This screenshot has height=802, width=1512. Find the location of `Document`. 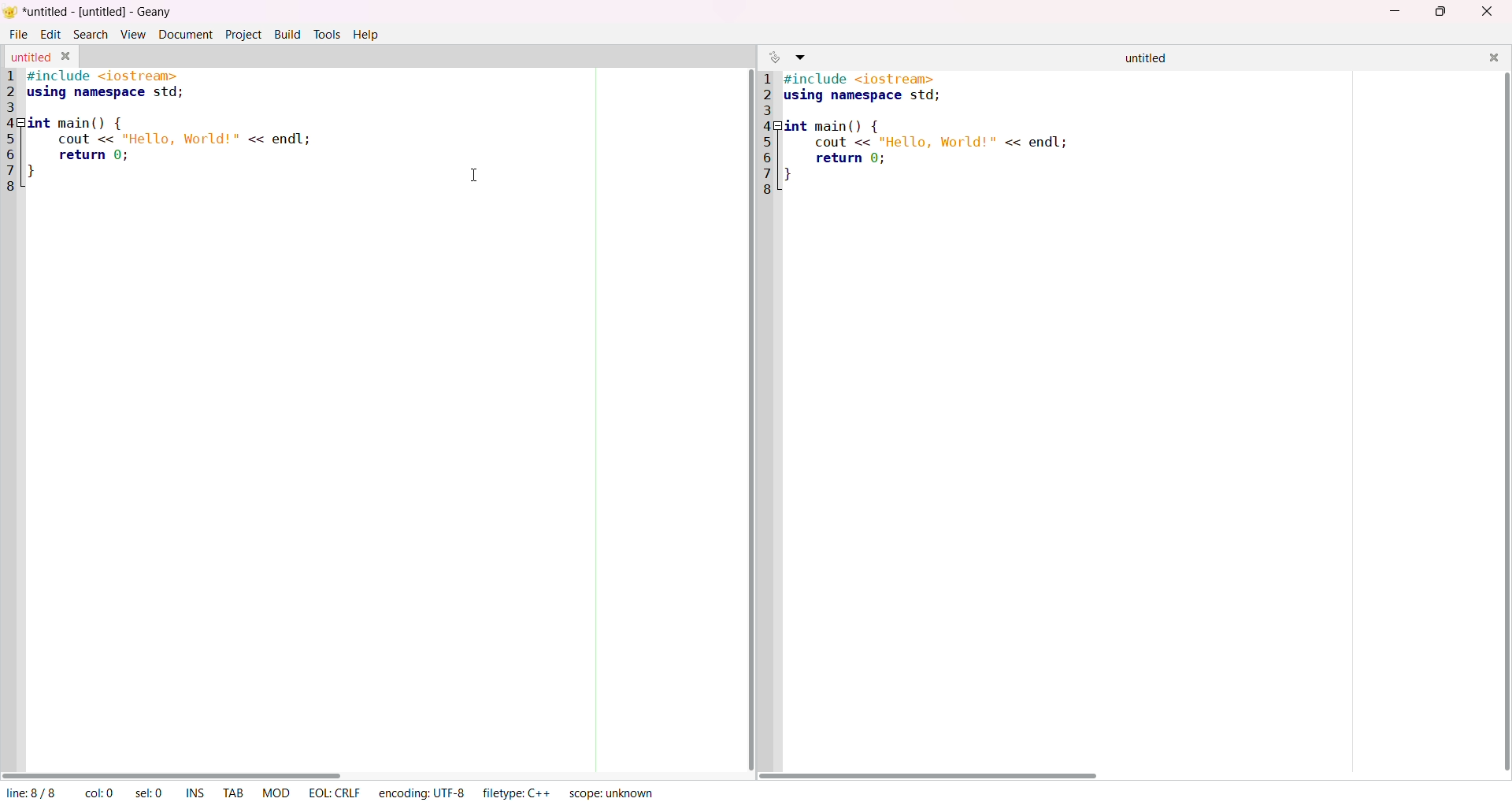

Document is located at coordinates (183, 34).